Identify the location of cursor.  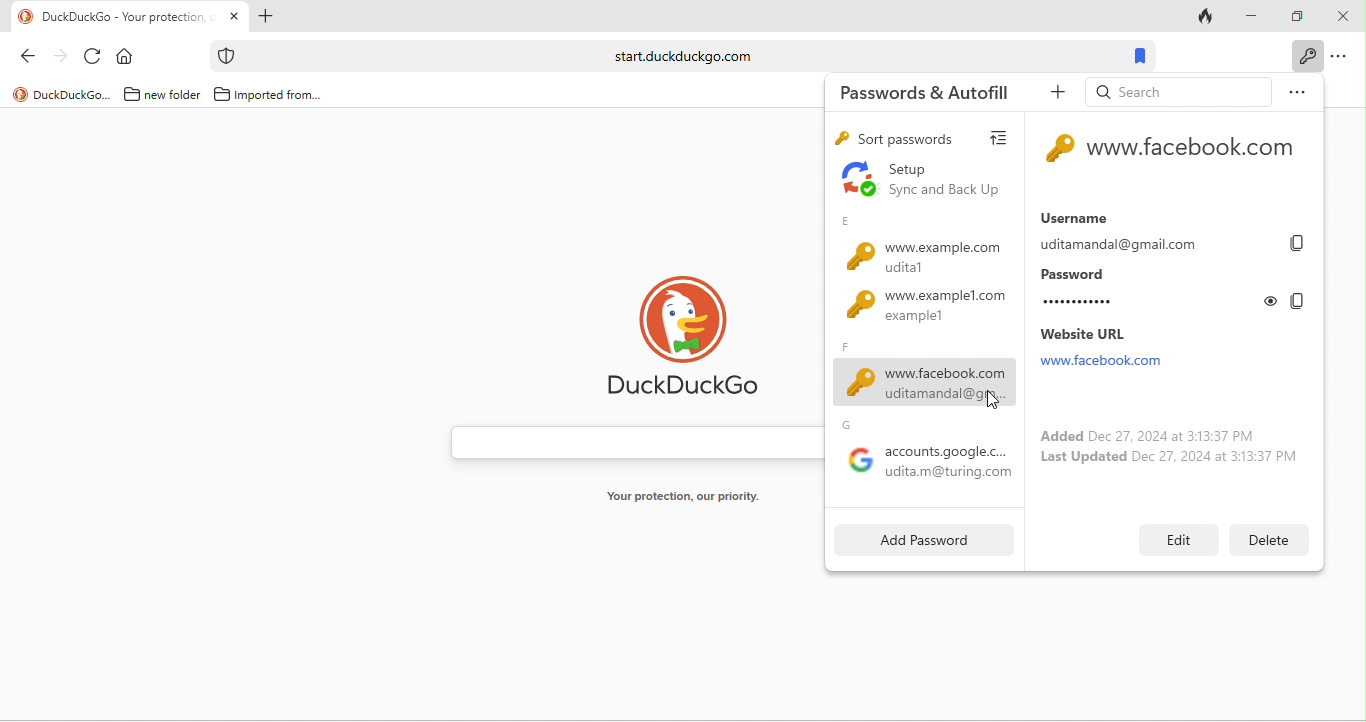
(987, 399).